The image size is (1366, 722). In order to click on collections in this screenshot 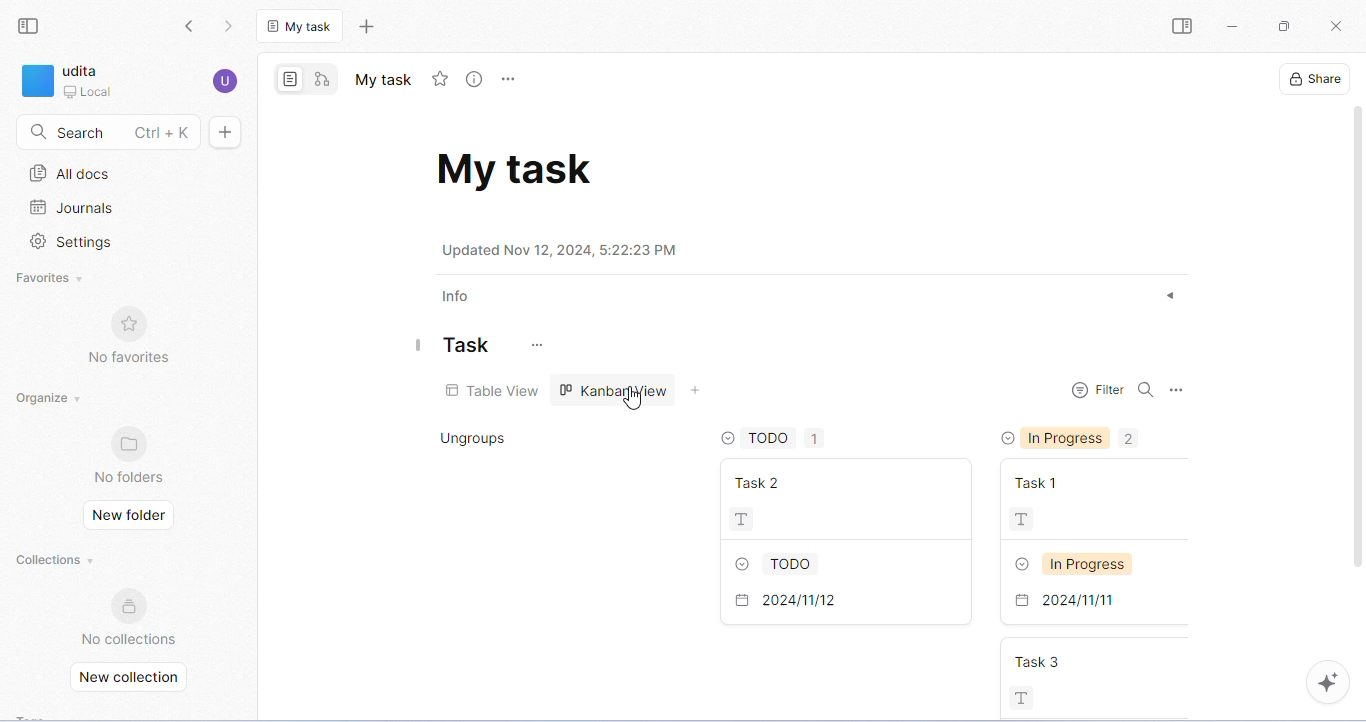, I will do `click(57, 558)`.